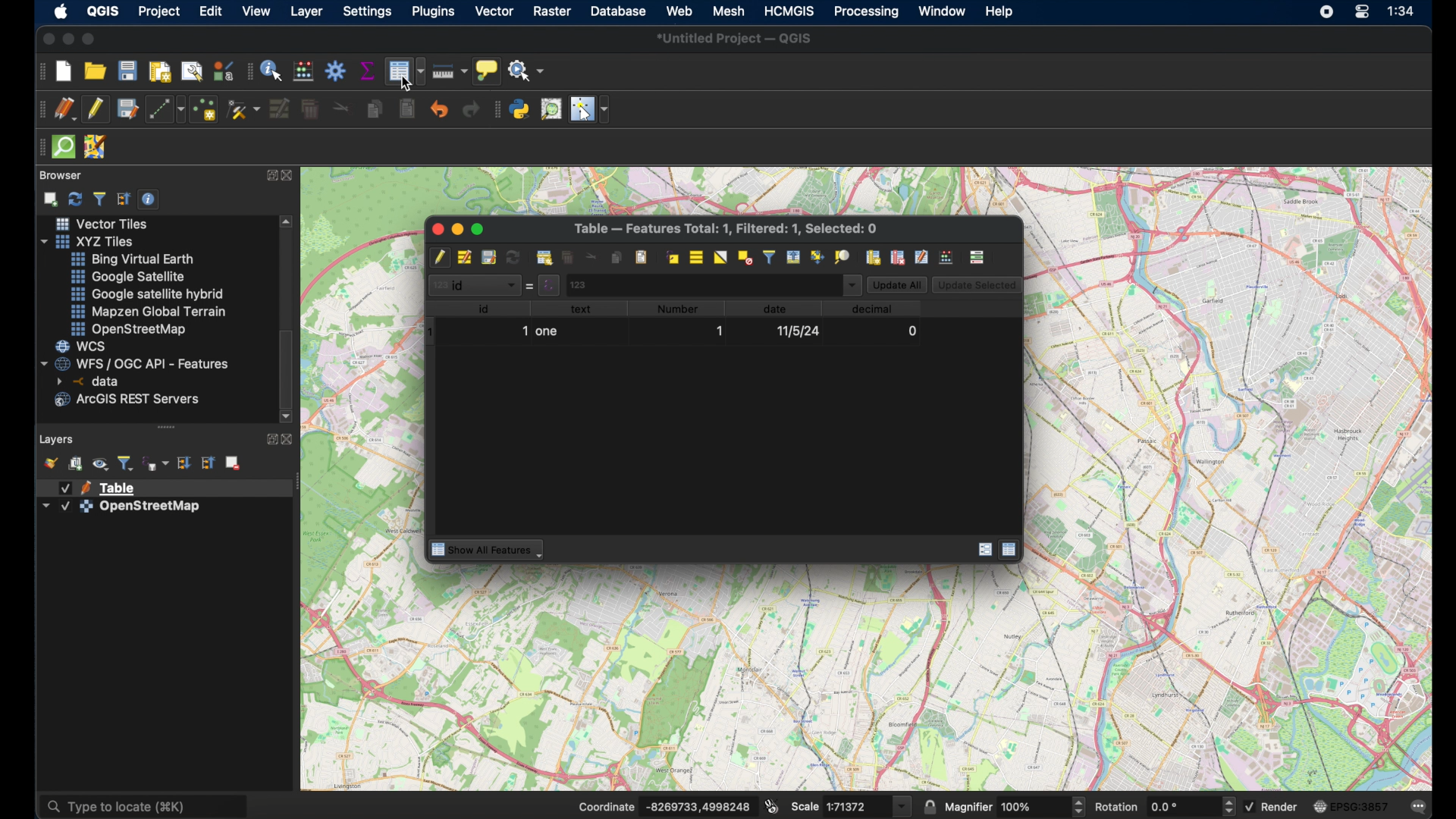  What do you see at coordinates (337, 71) in the screenshot?
I see `toolbox` at bounding box center [337, 71].